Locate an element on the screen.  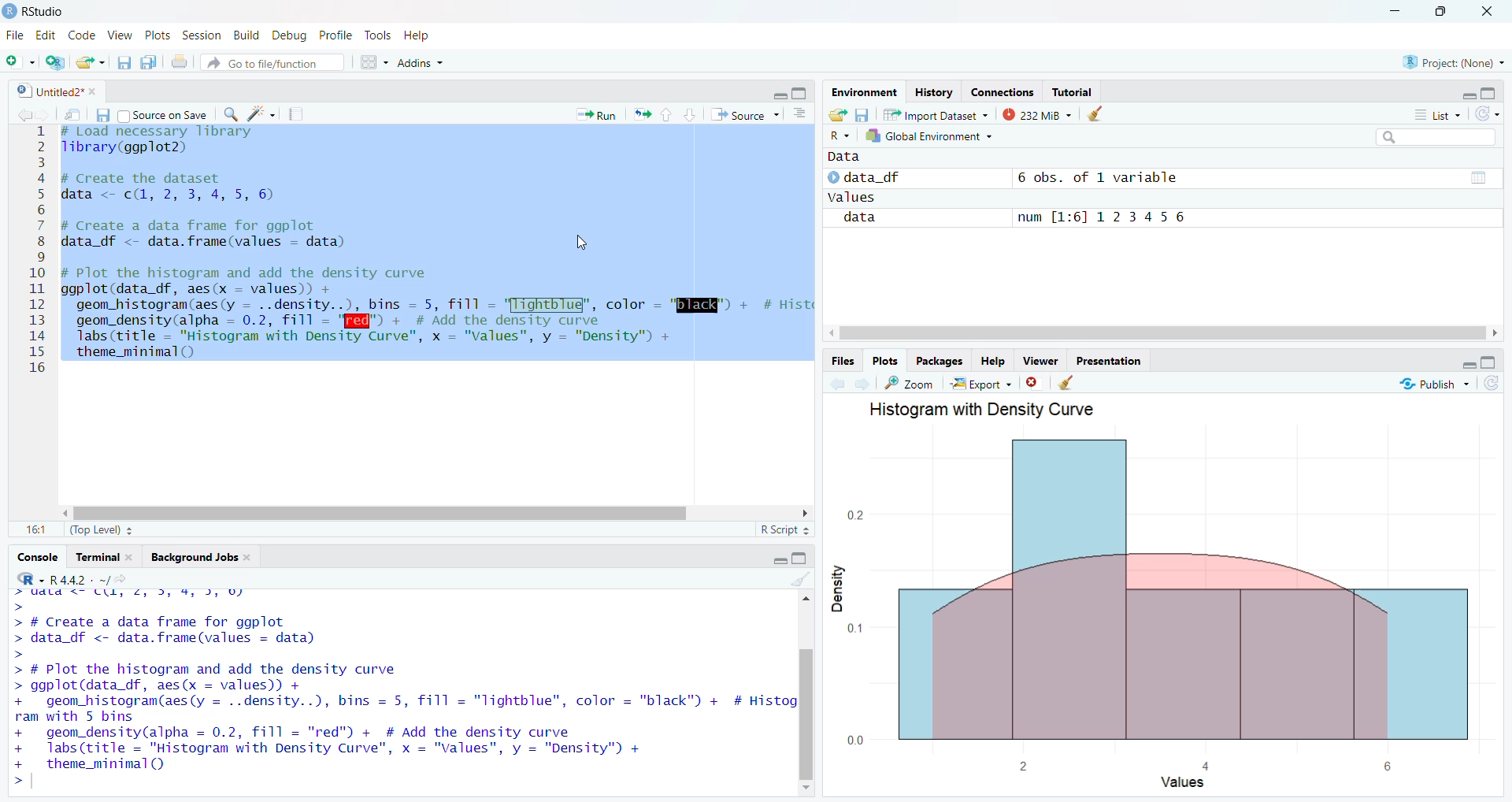
save workspace as is located at coordinates (862, 115).